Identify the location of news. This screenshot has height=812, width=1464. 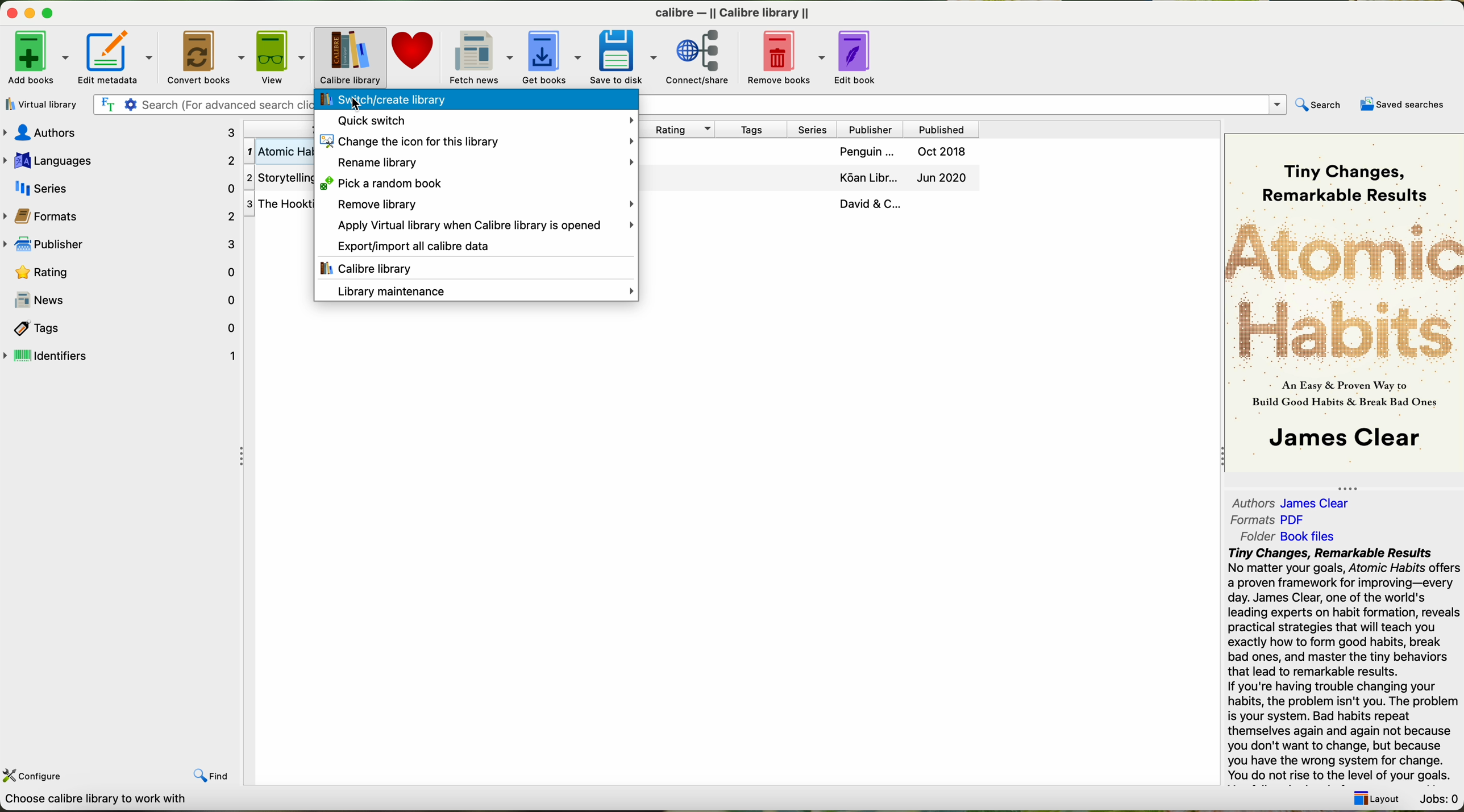
(121, 300).